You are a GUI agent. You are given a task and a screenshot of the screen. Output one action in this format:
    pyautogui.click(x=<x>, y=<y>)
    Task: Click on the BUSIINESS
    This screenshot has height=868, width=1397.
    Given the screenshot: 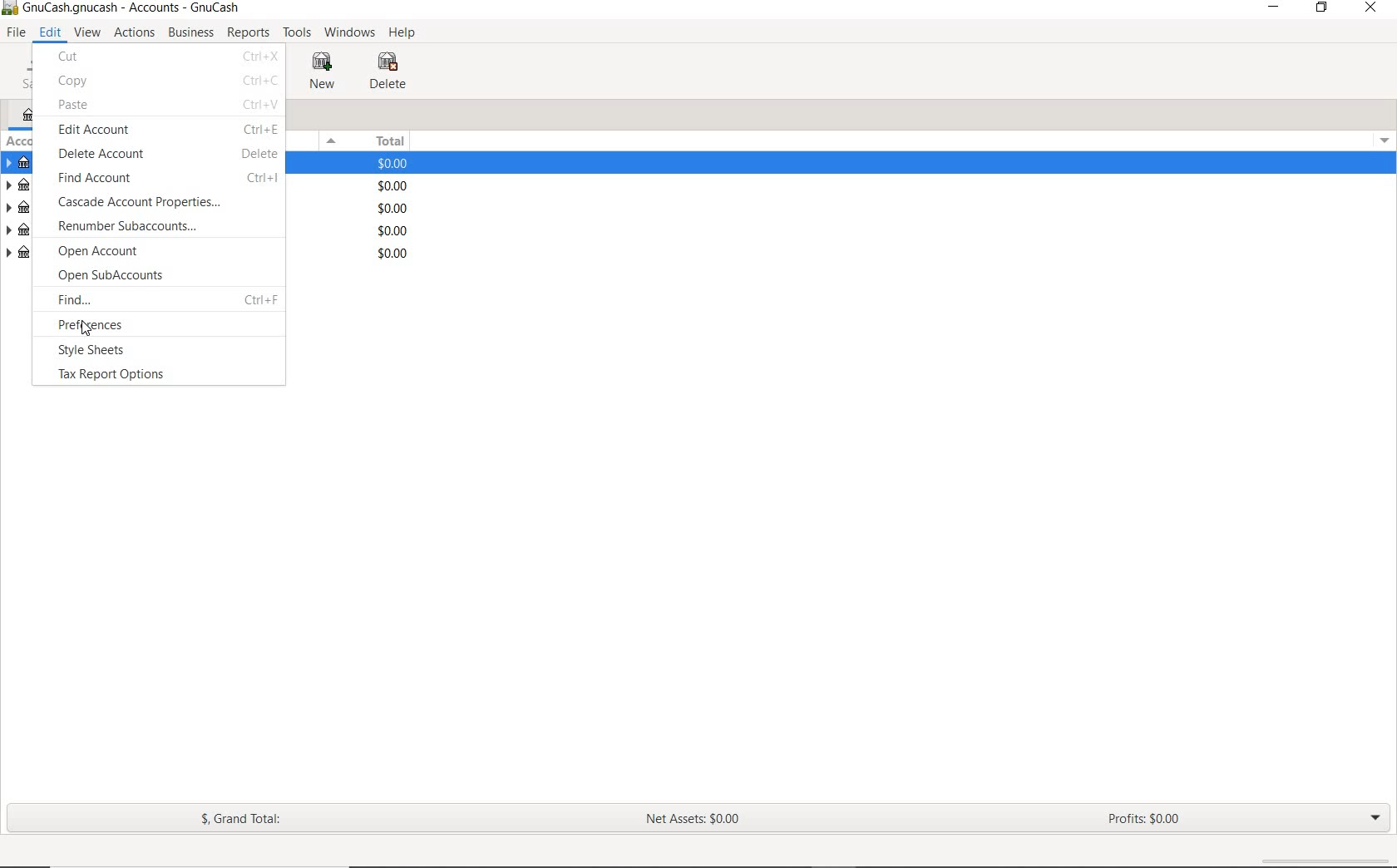 What is the action you would take?
    pyautogui.click(x=190, y=32)
    